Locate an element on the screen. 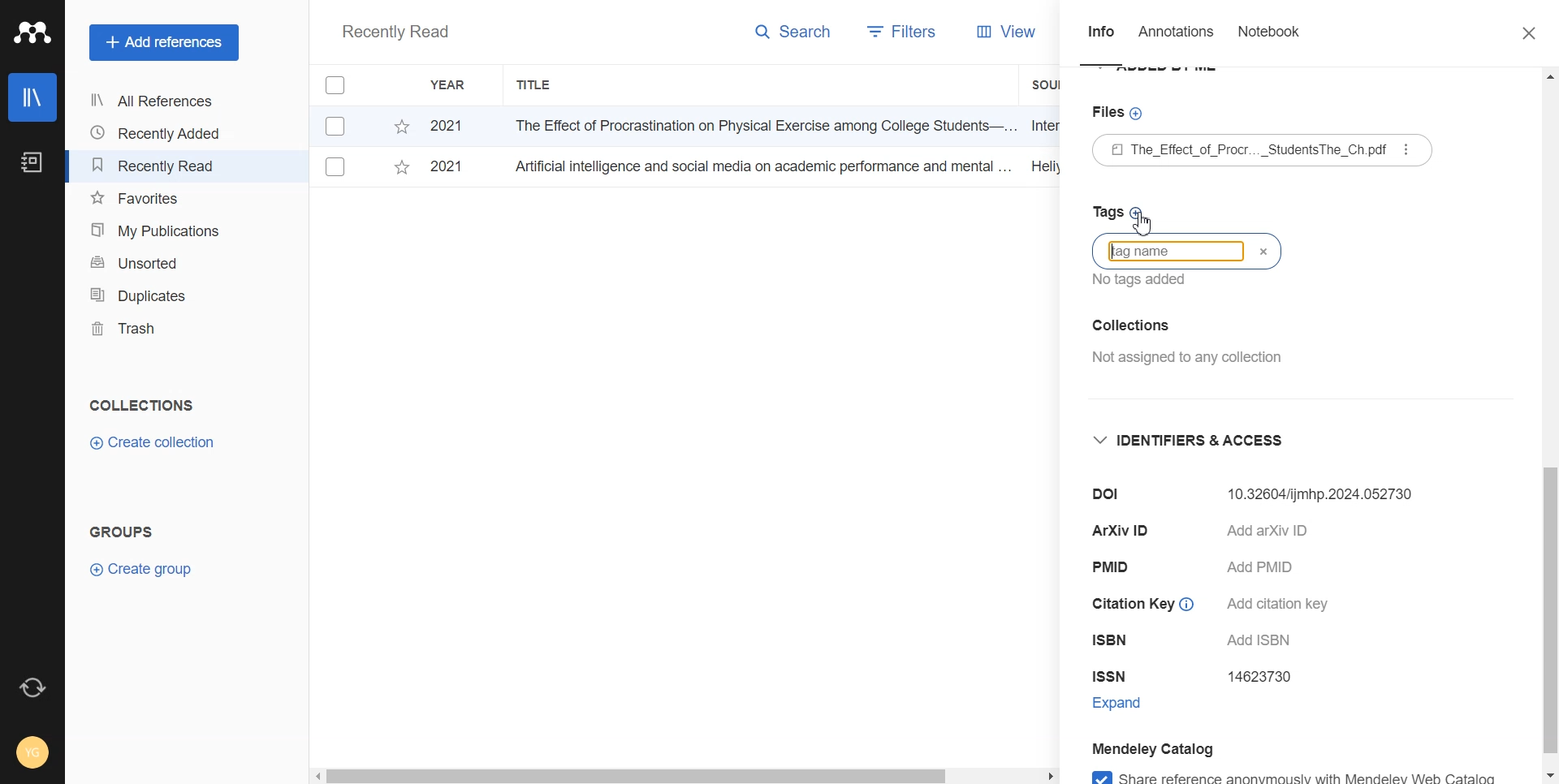 This screenshot has height=784, width=1559. Checkbox is located at coordinates (344, 84).